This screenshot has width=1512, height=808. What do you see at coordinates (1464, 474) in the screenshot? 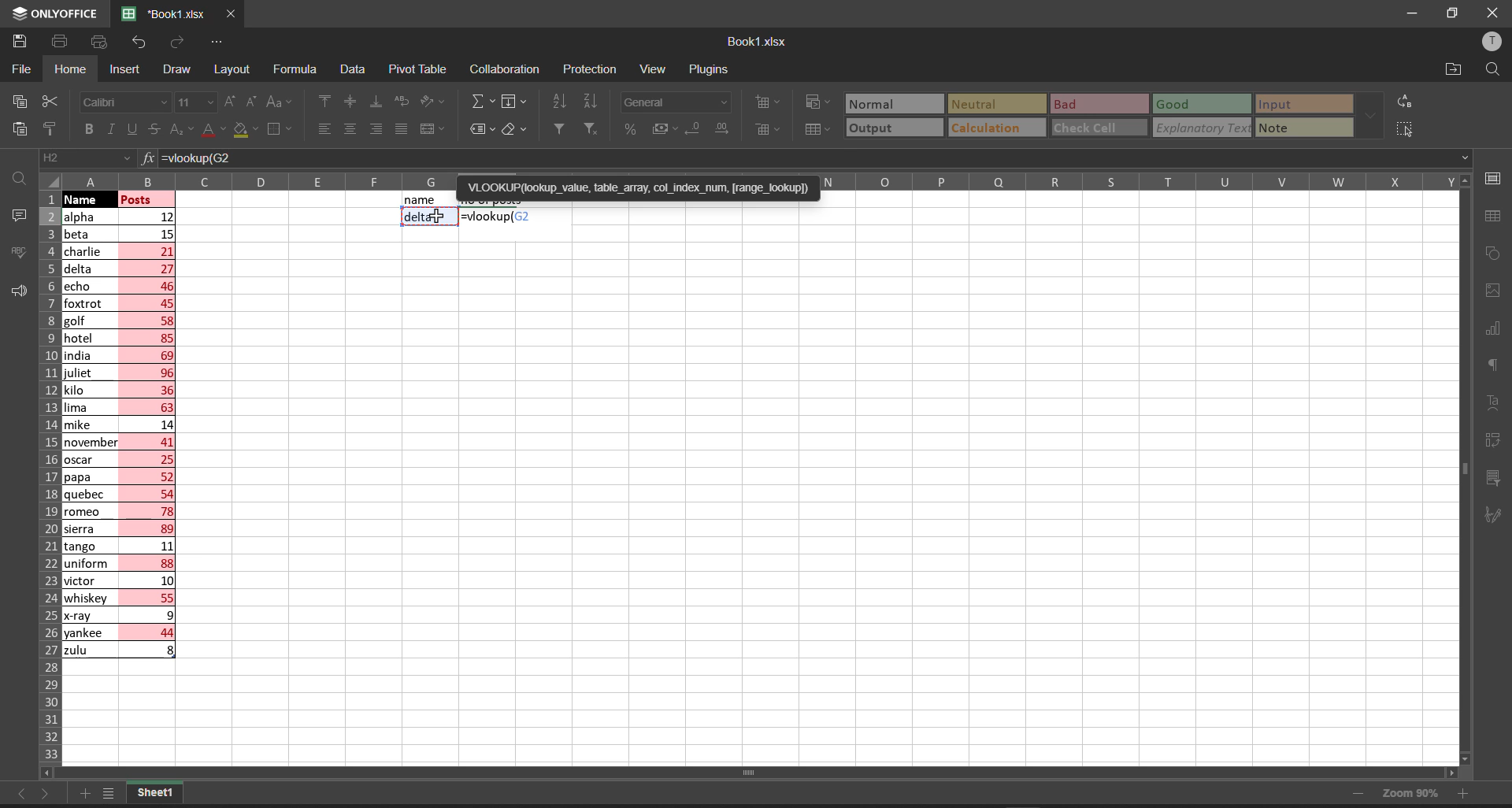
I see `vertical scroll bar` at bounding box center [1464, 474].